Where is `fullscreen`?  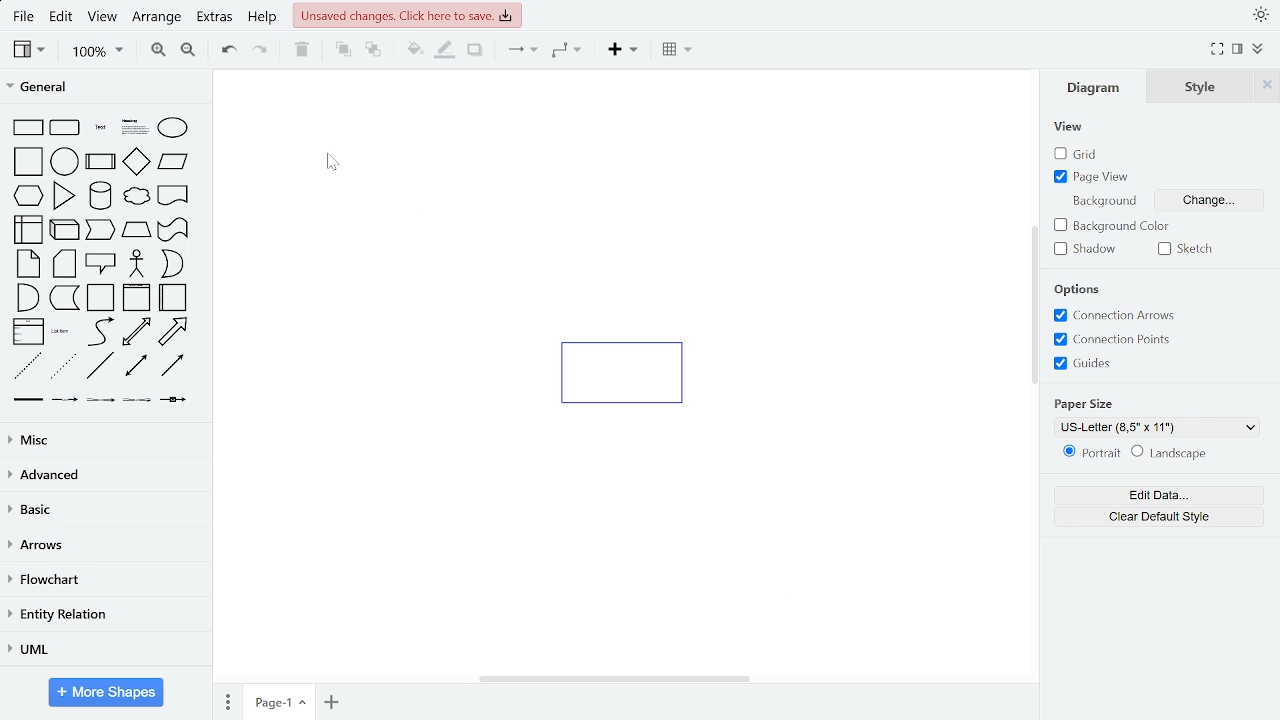 fullscreen is located at coordinates (1216, 50).